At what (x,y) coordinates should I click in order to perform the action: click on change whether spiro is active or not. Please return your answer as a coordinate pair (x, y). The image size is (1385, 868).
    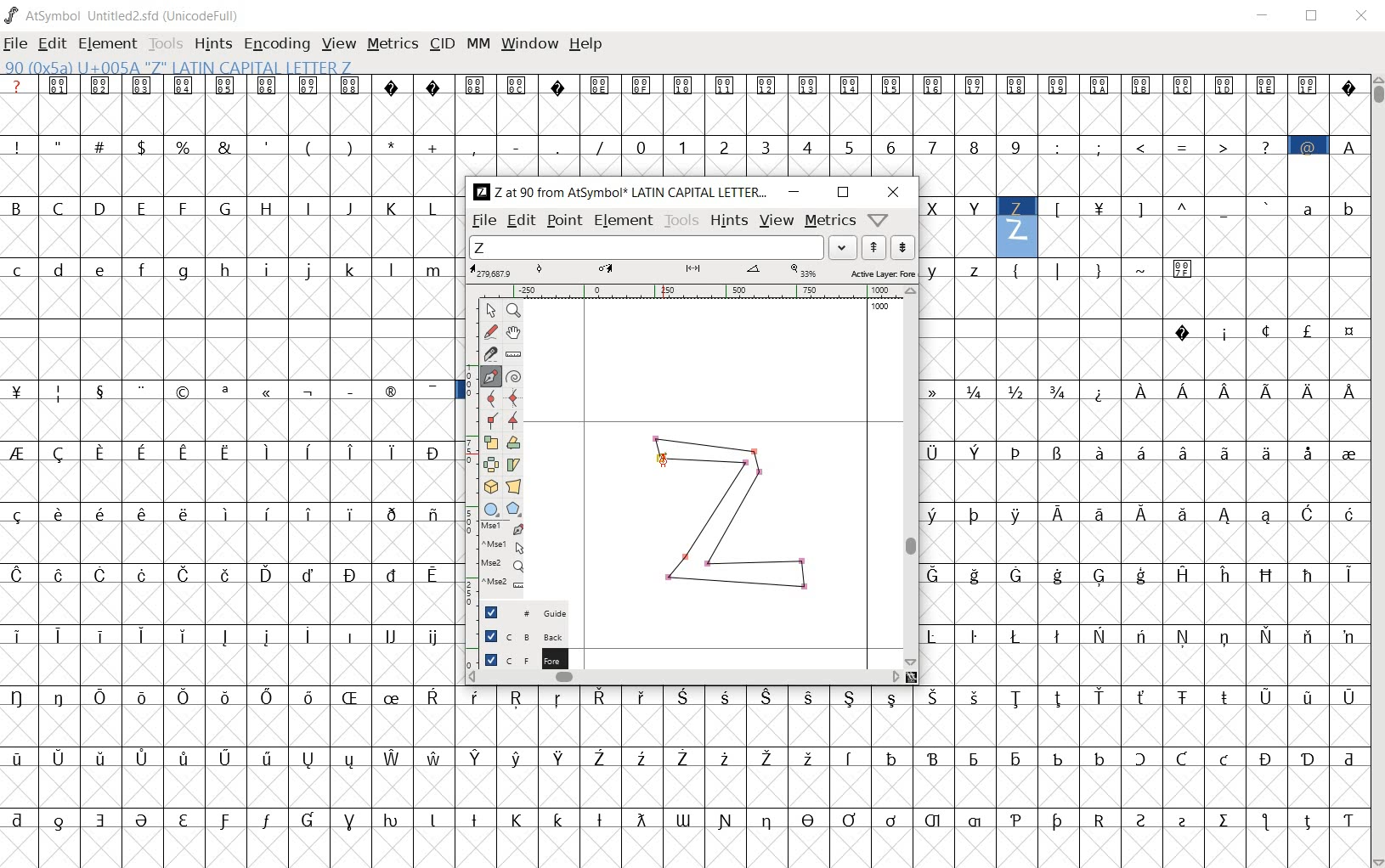
    Looking at the image, I should click on (513, 375).